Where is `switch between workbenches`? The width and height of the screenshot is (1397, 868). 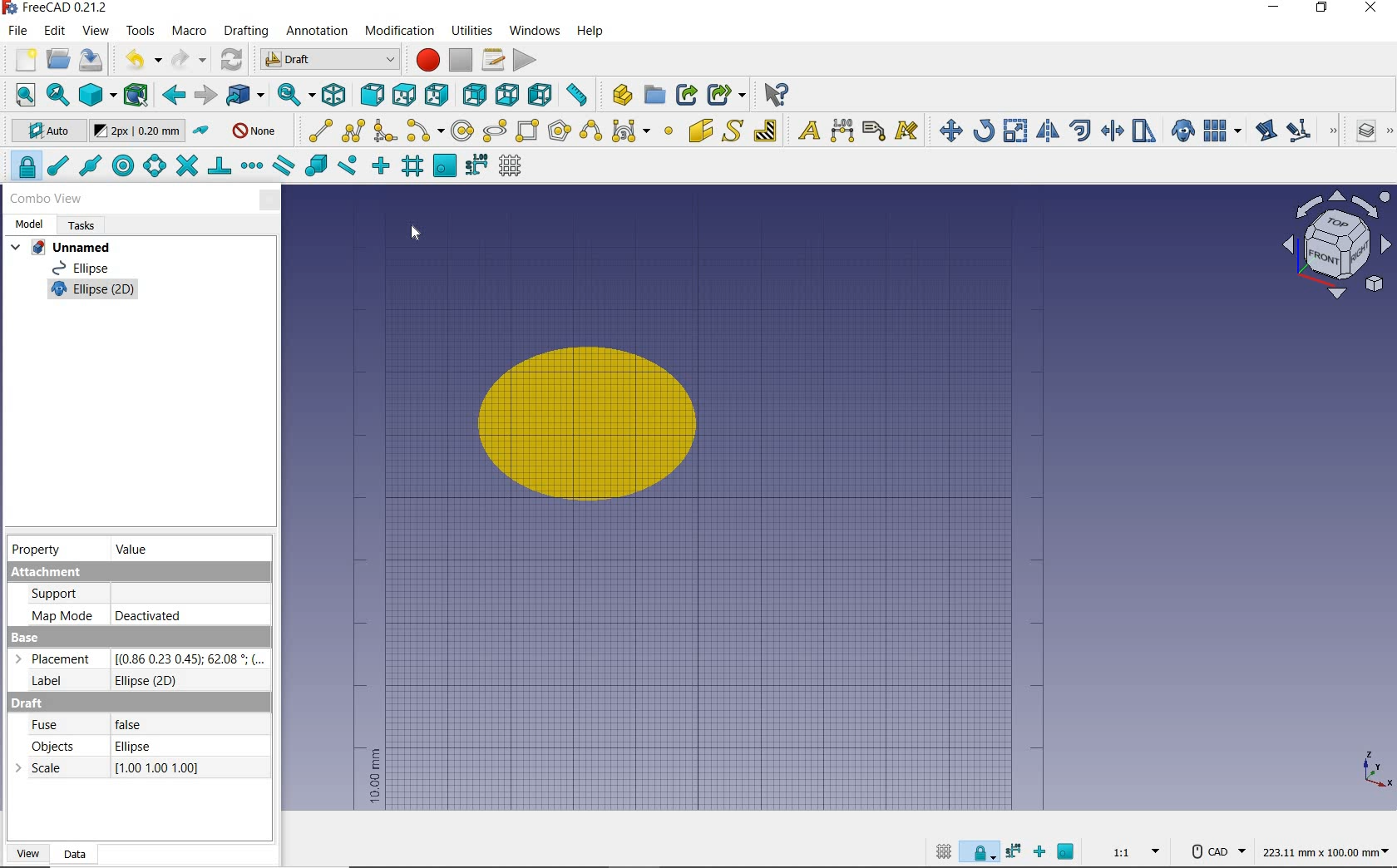 switch between workbenches is located at coordinates (326, 60).